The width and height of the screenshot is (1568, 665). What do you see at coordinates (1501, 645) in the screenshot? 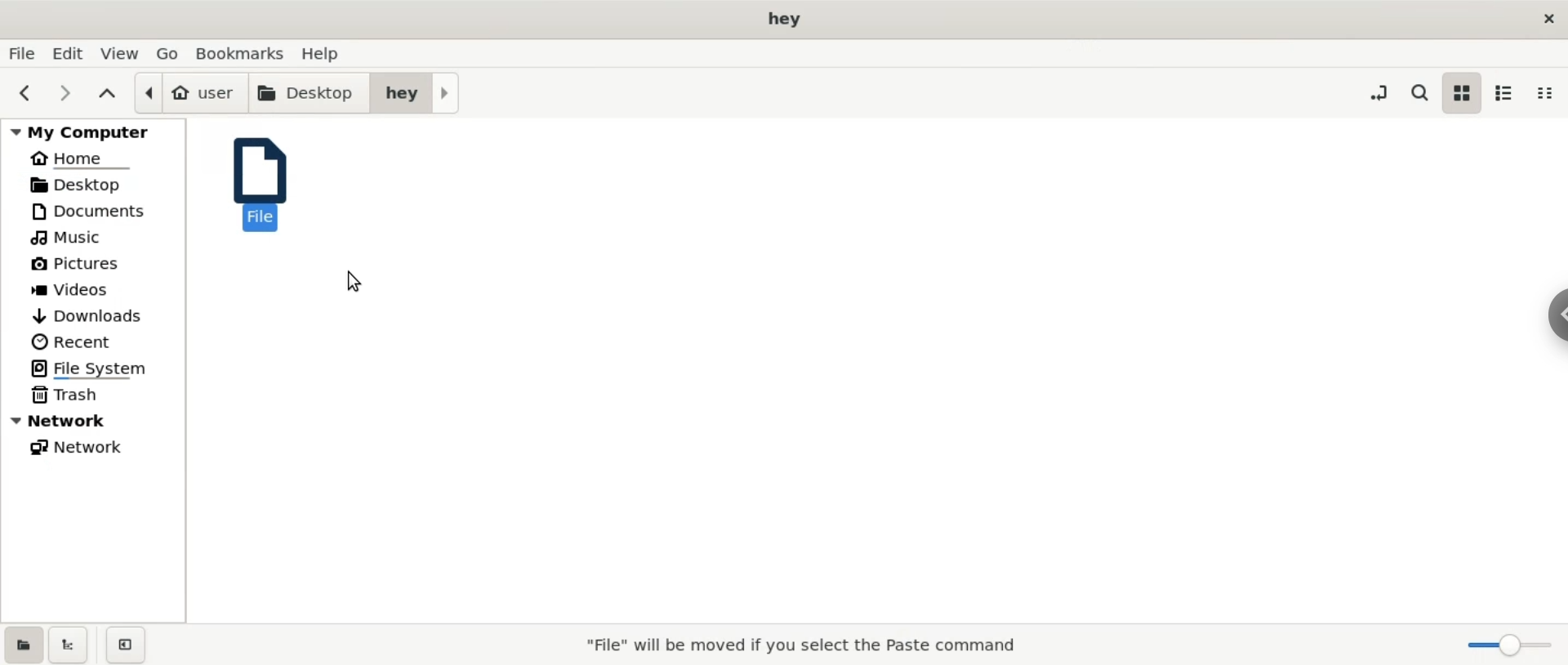
I see `zoom` at bounding box center [1501, 645].